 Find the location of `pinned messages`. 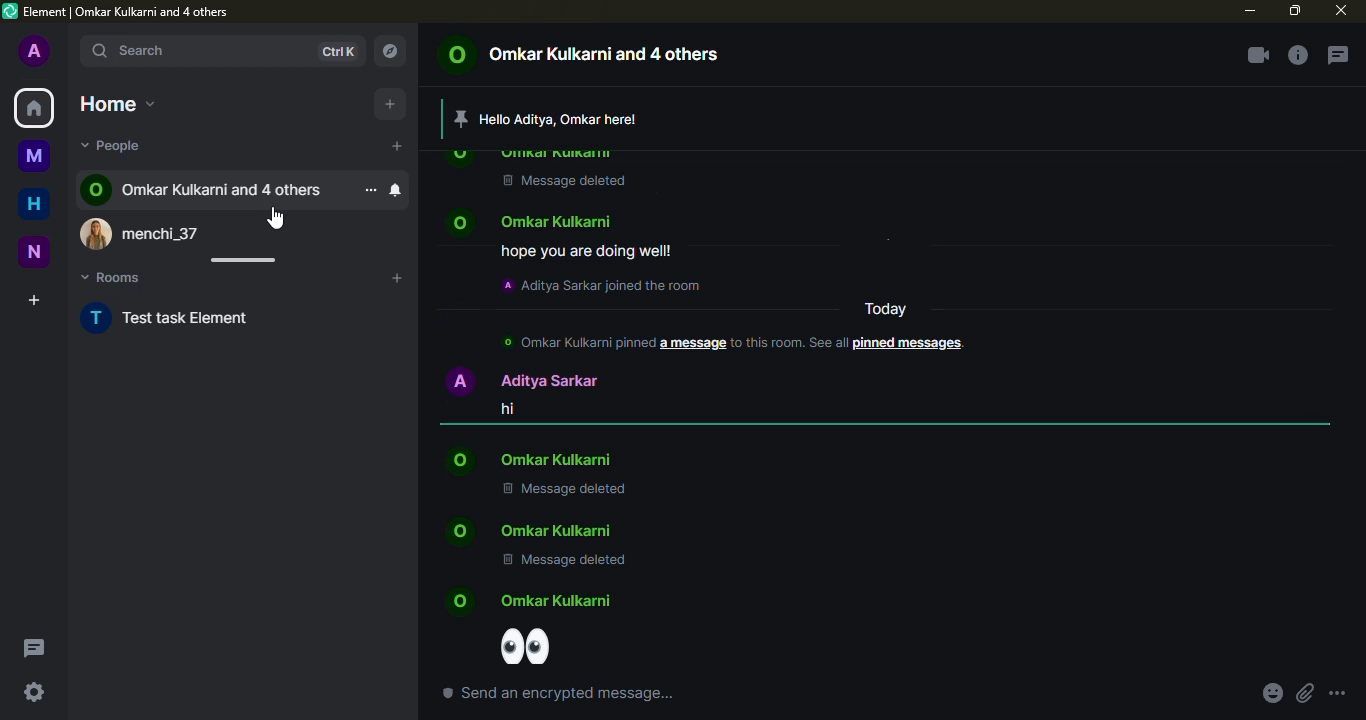

pinned messages is located at coordinates (908, 344).